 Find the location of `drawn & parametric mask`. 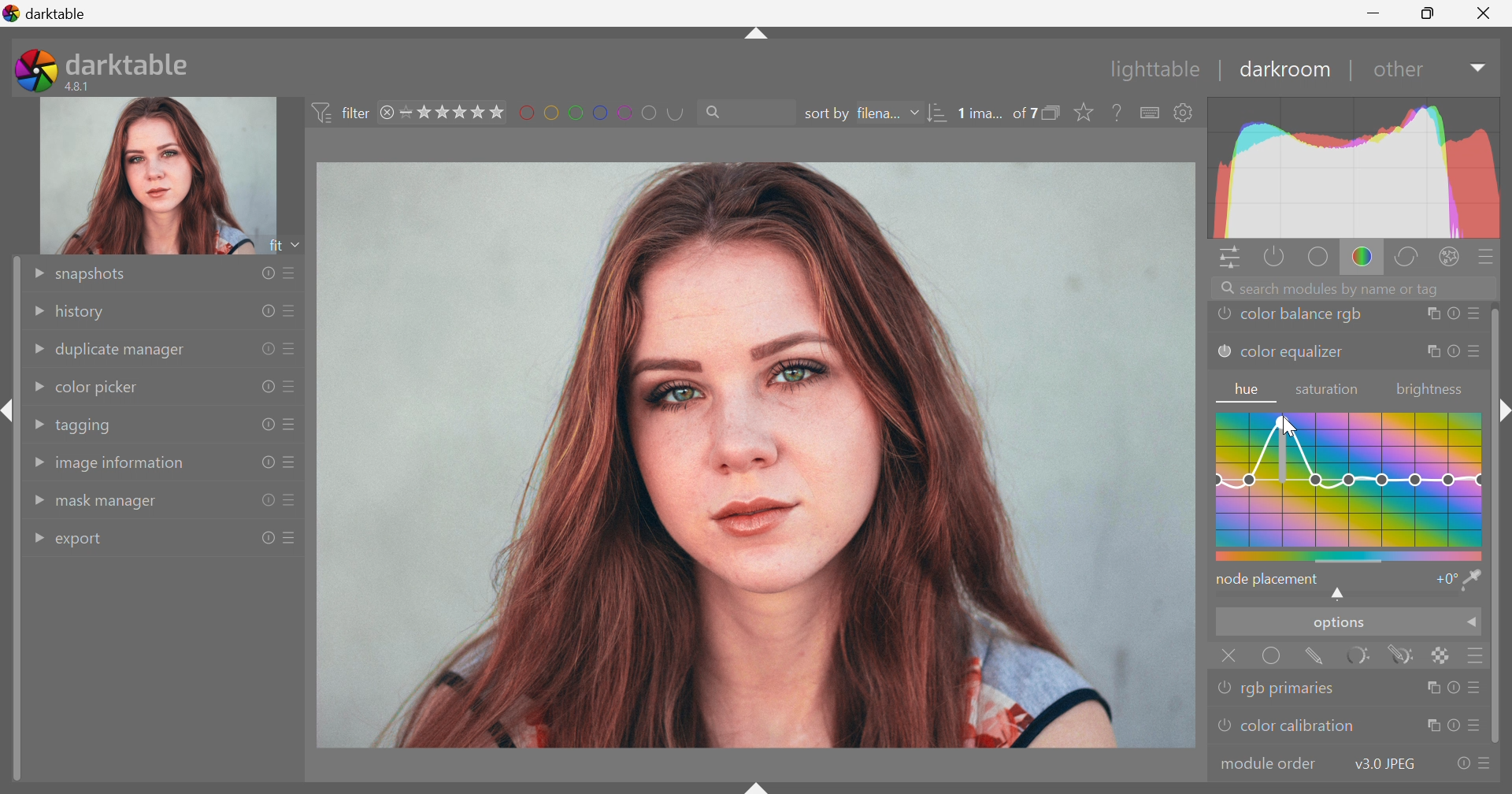

drawn & parametric mask is located at coordinates (1406, 656).